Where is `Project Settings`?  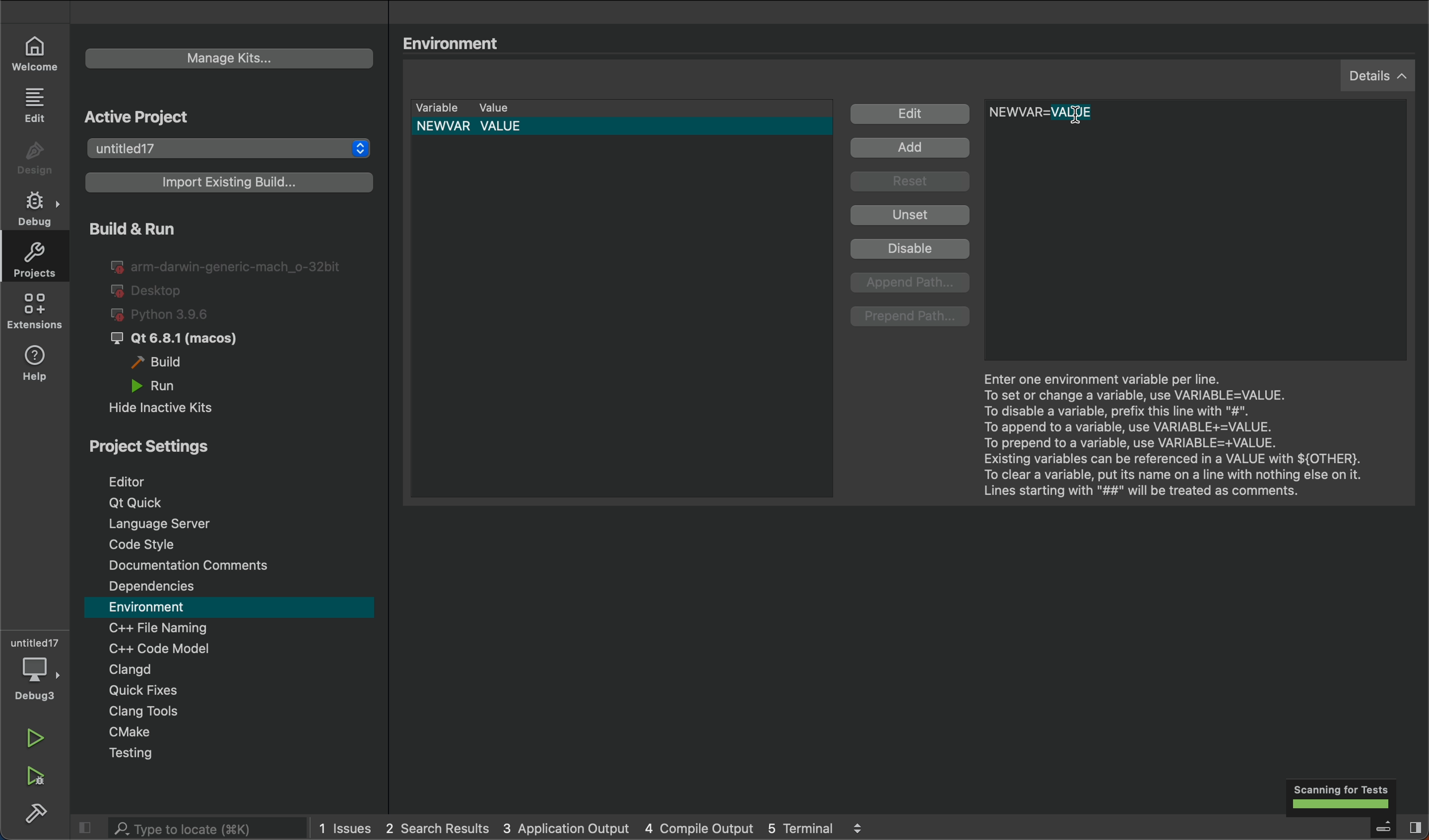
Project Settings is located at coordinates (223, 443).